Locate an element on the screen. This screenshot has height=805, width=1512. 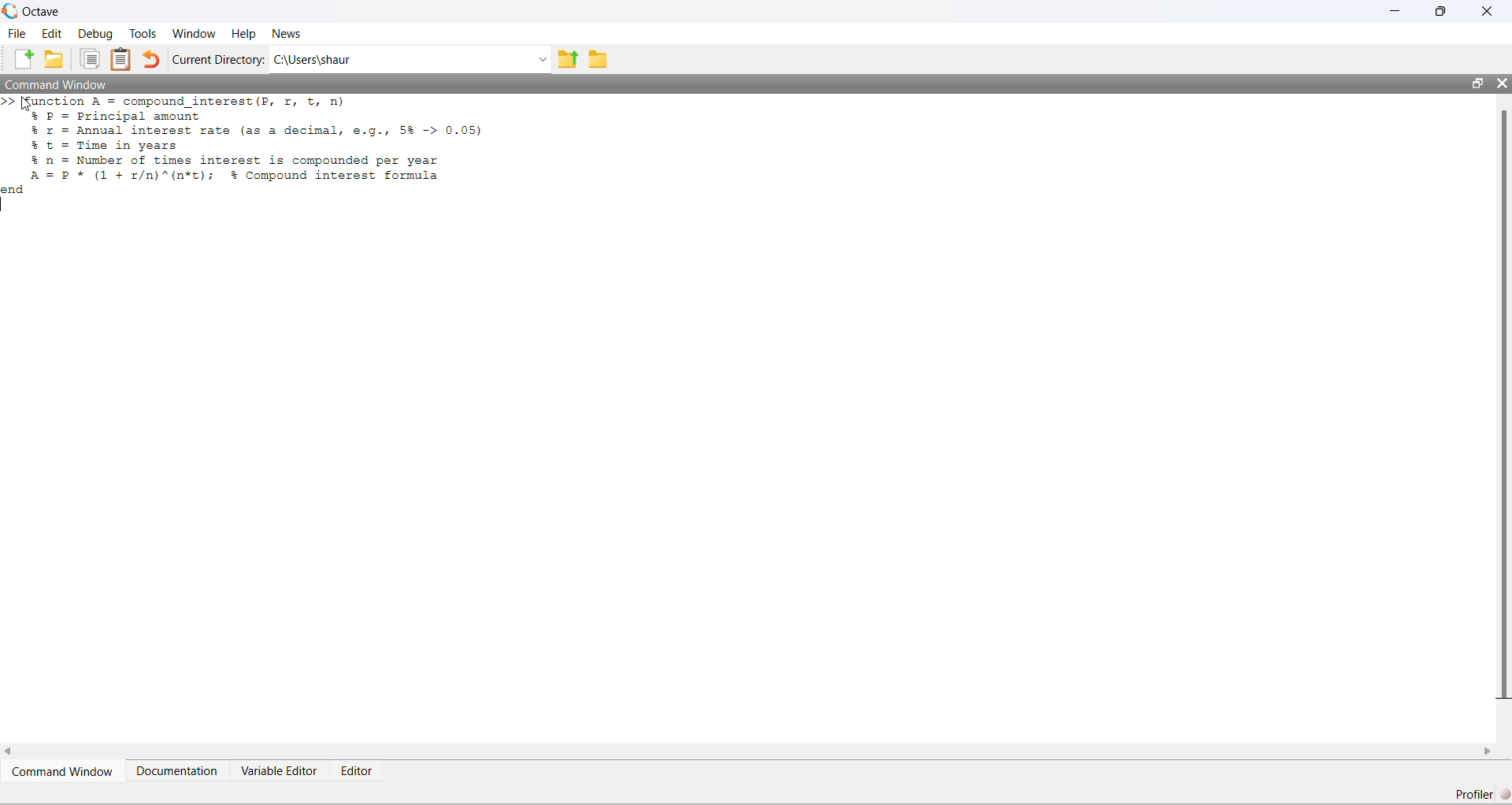
Minimize is located at coordinates (1396, 10).